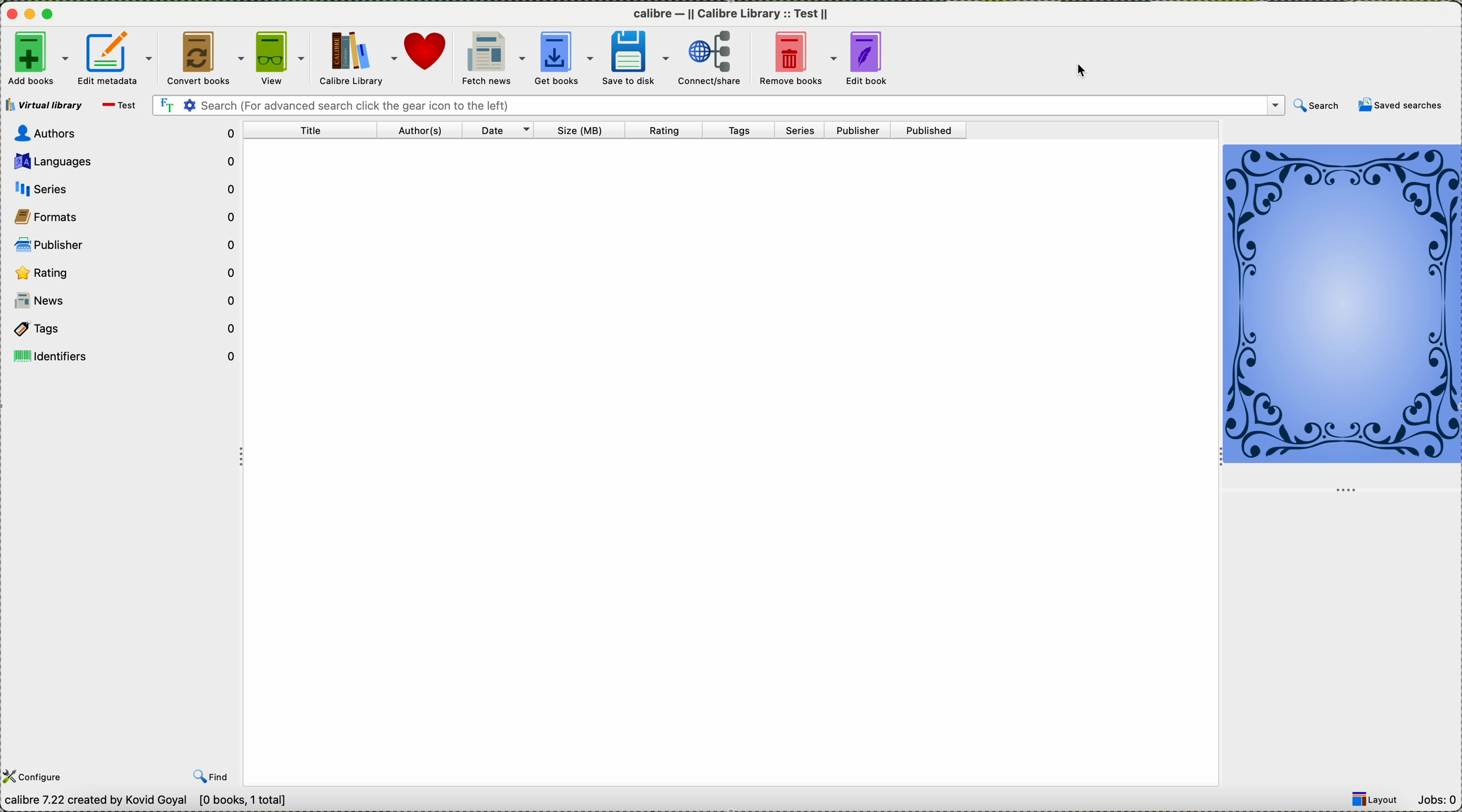 This screenshot has height=812, width=1462. What do you see at coordinates (678, 131) in the screenshot?
I see `rating` at bounding box center [678, 131].